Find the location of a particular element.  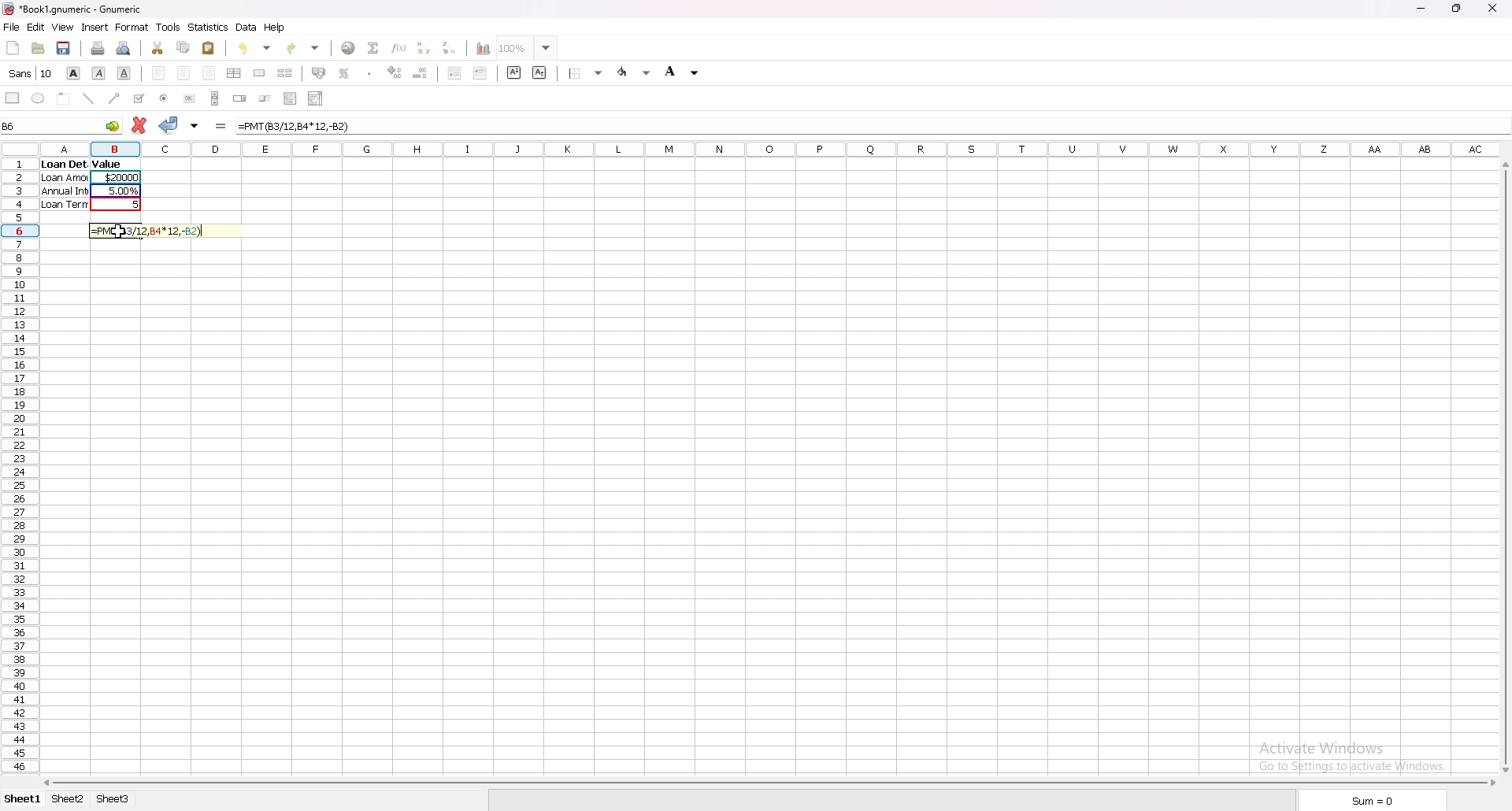

save is located at coordinates (65, 47).